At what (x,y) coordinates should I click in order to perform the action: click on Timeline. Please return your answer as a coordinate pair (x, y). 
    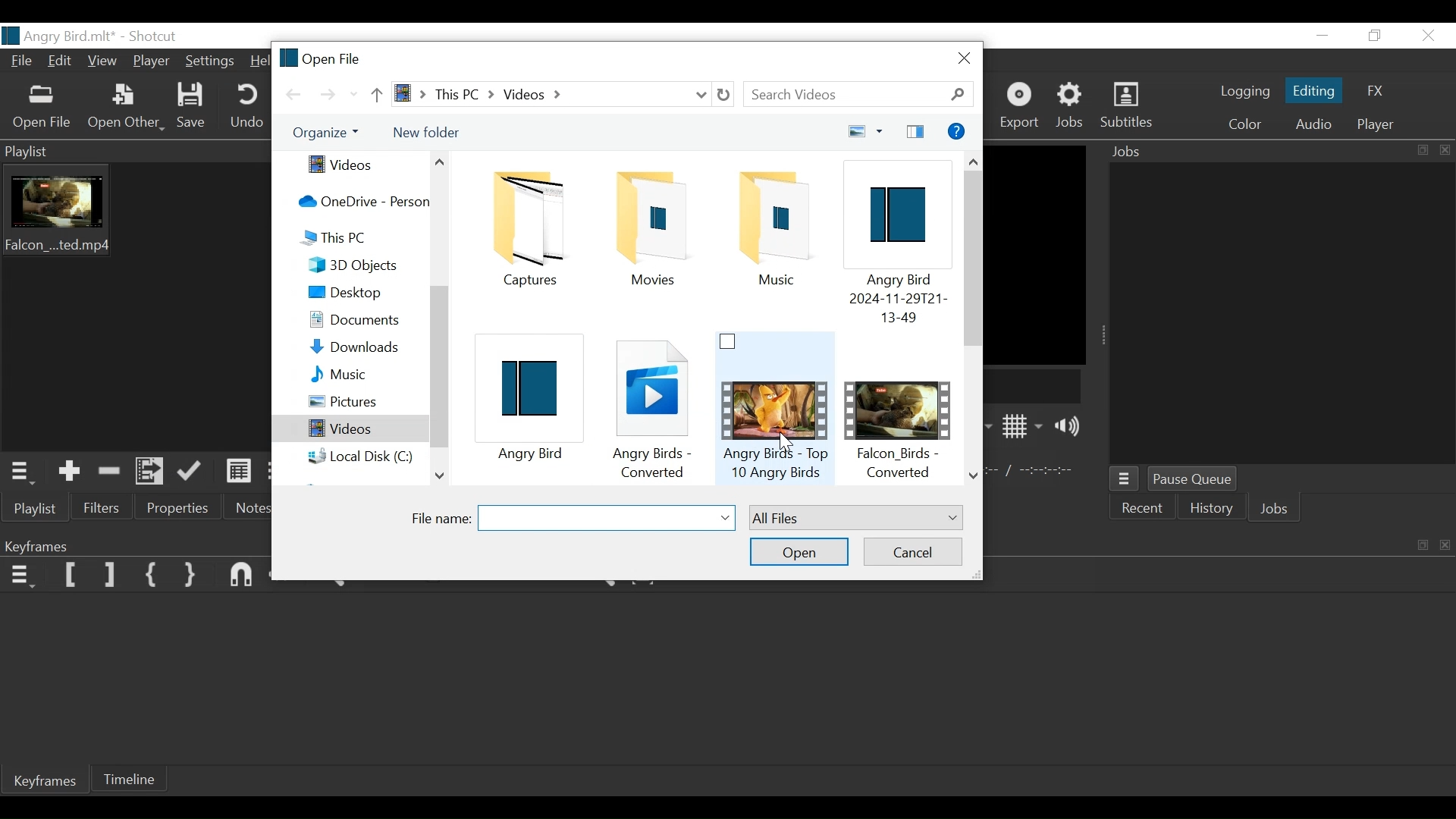
    Looking at the image, I should click on (130, 779).